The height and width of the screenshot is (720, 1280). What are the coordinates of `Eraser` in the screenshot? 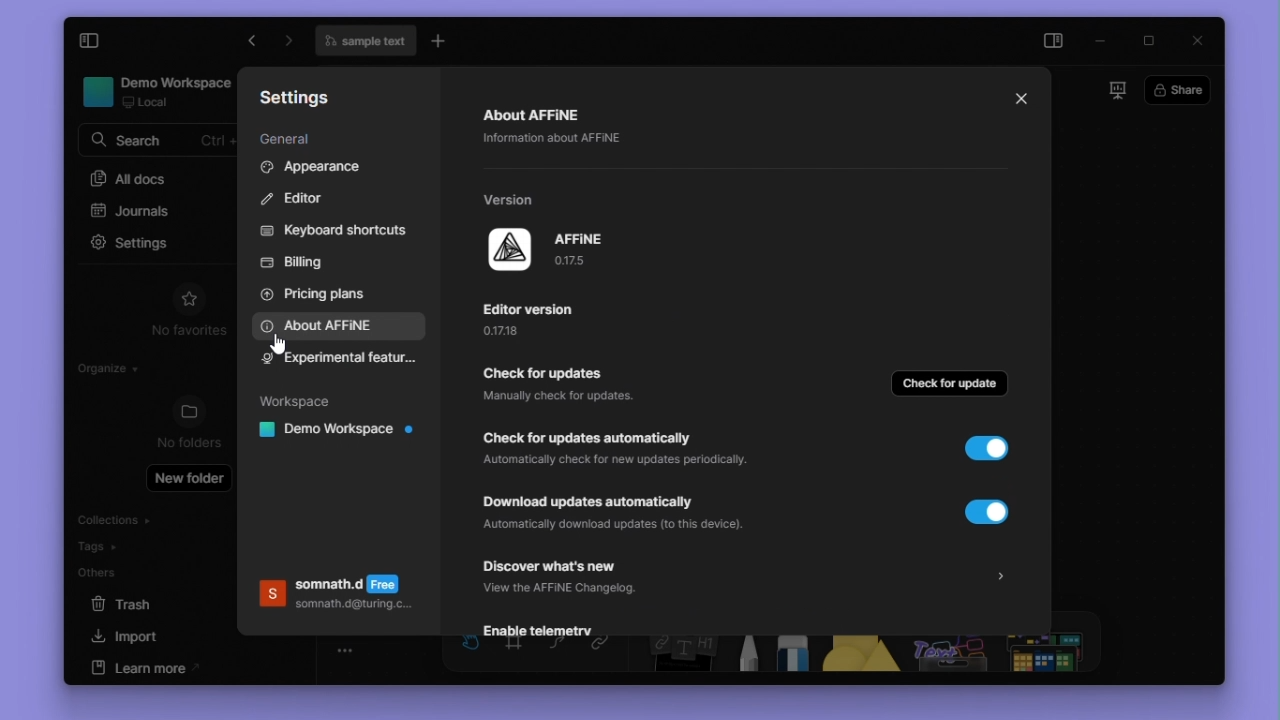 It's located at (788, 654).